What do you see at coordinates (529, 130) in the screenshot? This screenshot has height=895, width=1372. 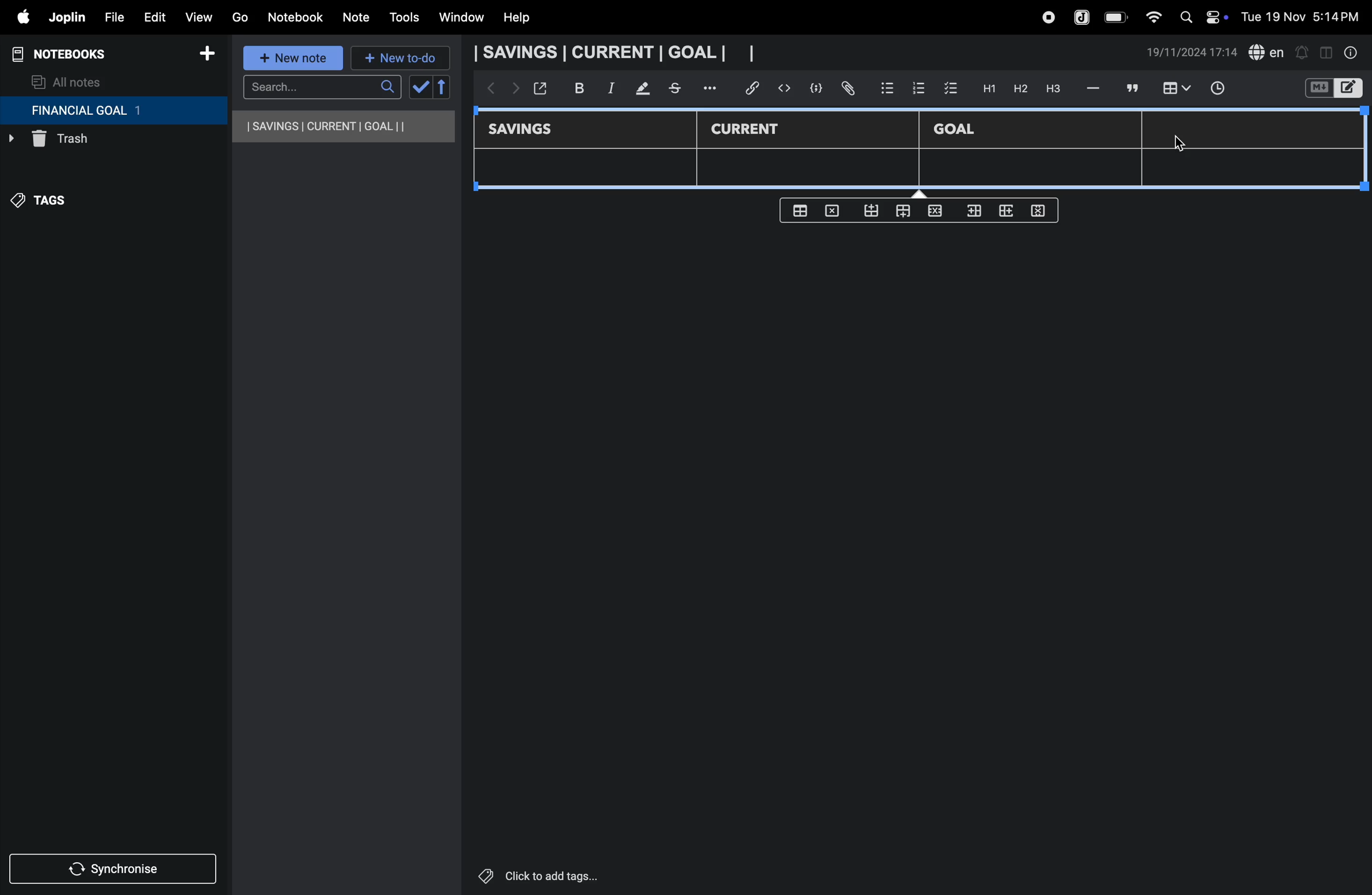 I see `savings` at bounding box center [529, 130].